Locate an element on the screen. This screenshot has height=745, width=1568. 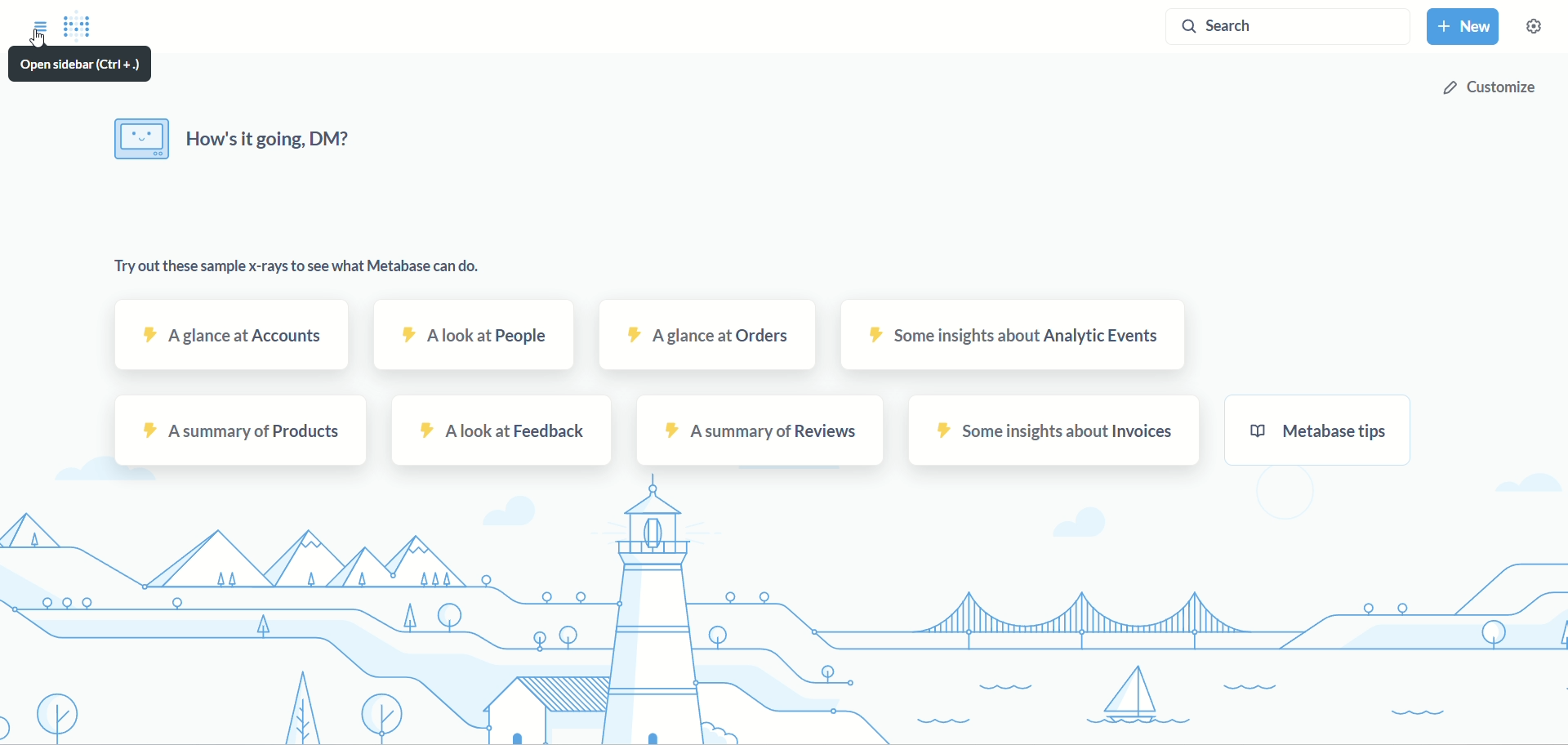
metabase tips is located at coordinates (1321, 430).